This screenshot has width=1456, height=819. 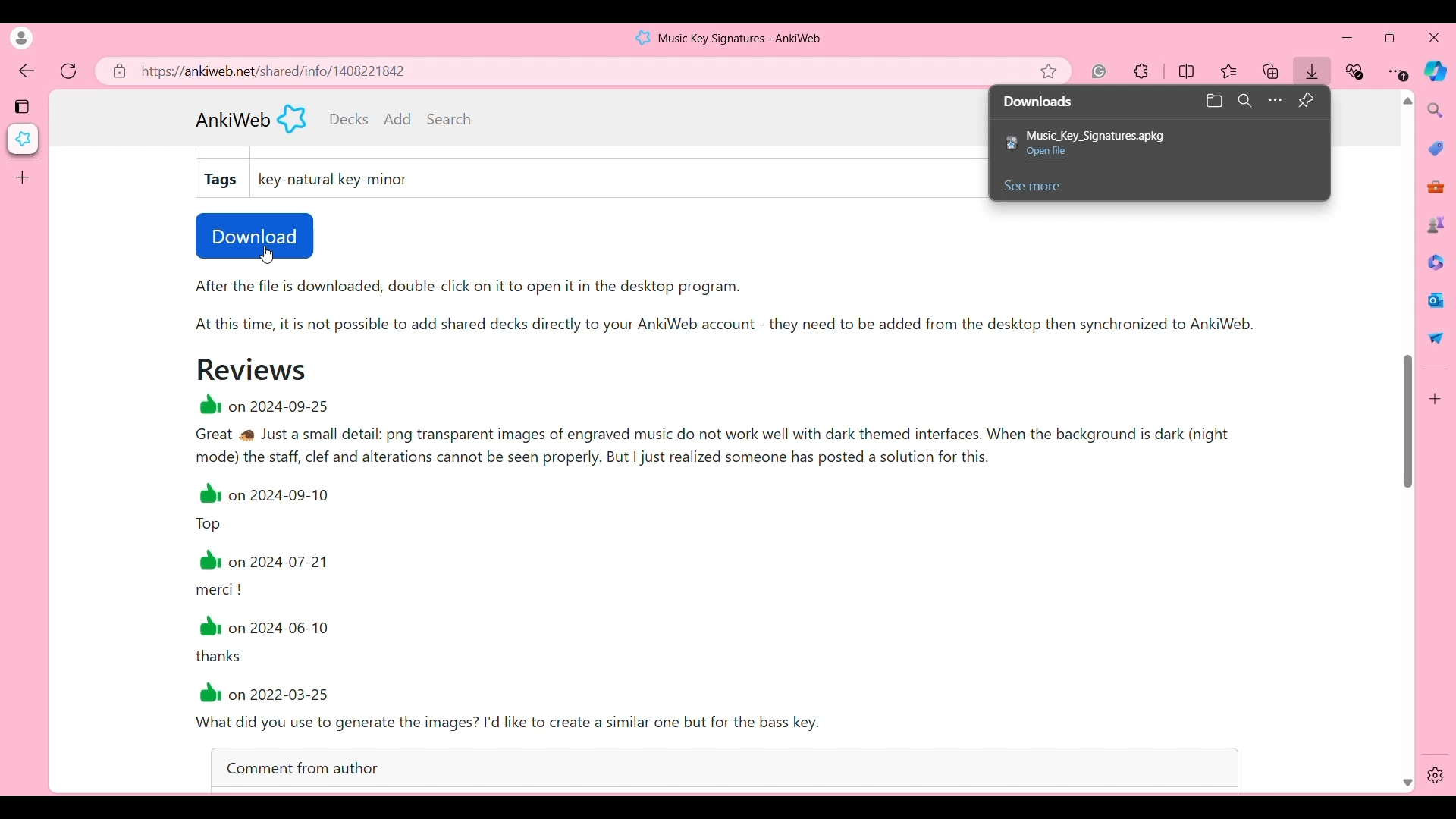 I want to click on Software logo, so click(x=292, y=118).